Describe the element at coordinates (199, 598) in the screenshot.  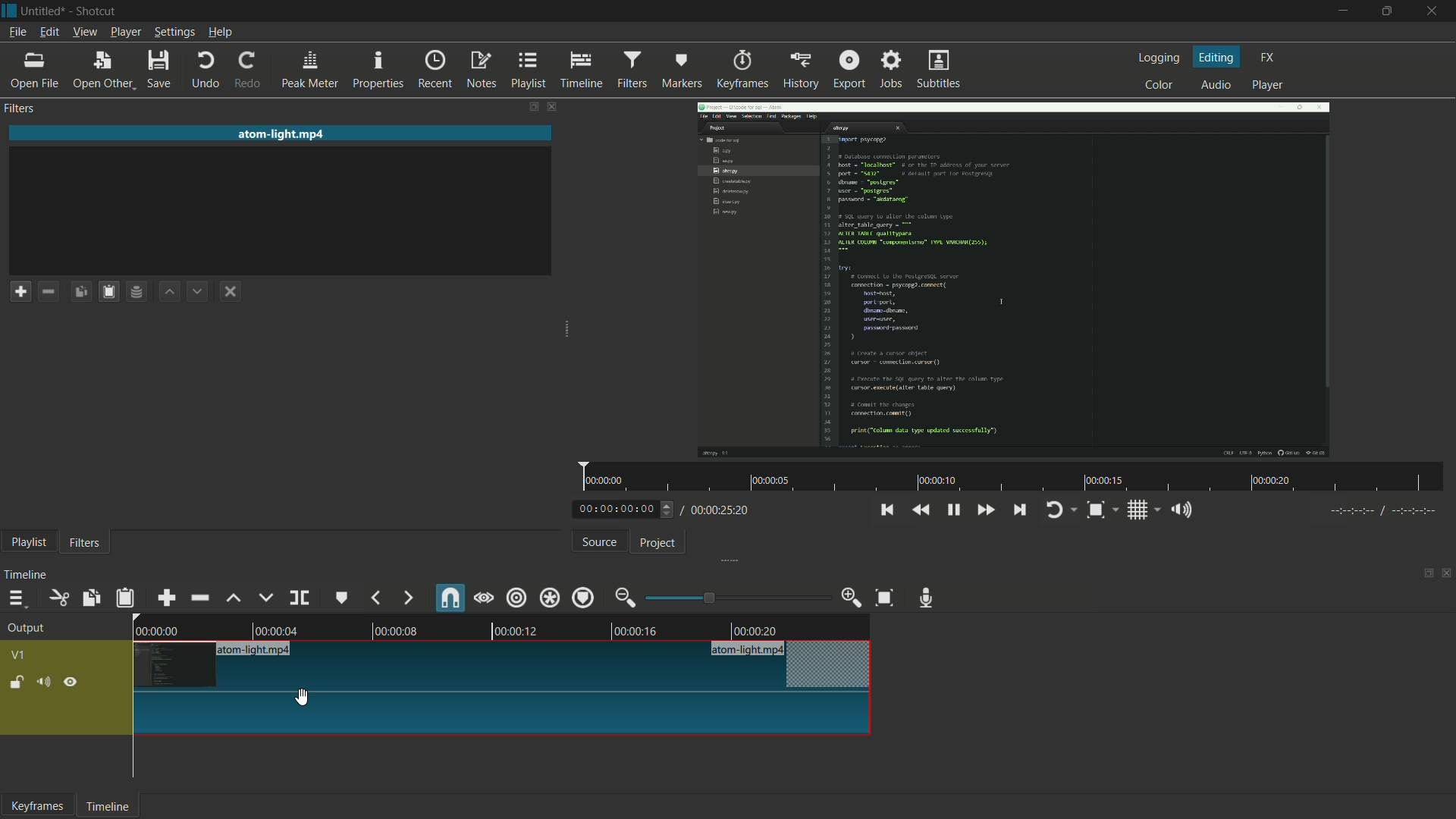
I see `delete ripple` at that location.